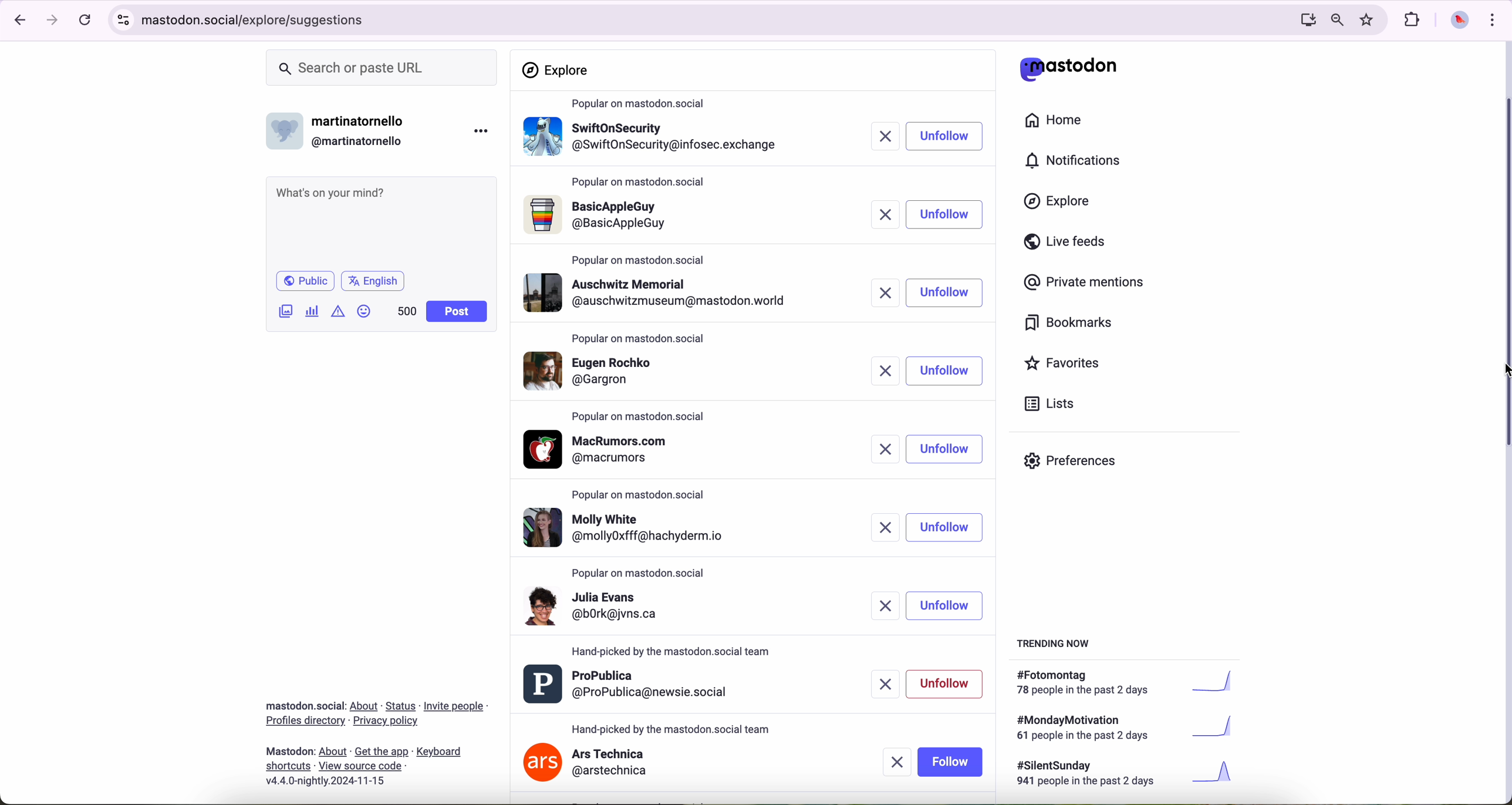  Describe the element at coordinates (672, 727) in the screenshot. I see `hand-picked by the mastodon.social team` at that location.